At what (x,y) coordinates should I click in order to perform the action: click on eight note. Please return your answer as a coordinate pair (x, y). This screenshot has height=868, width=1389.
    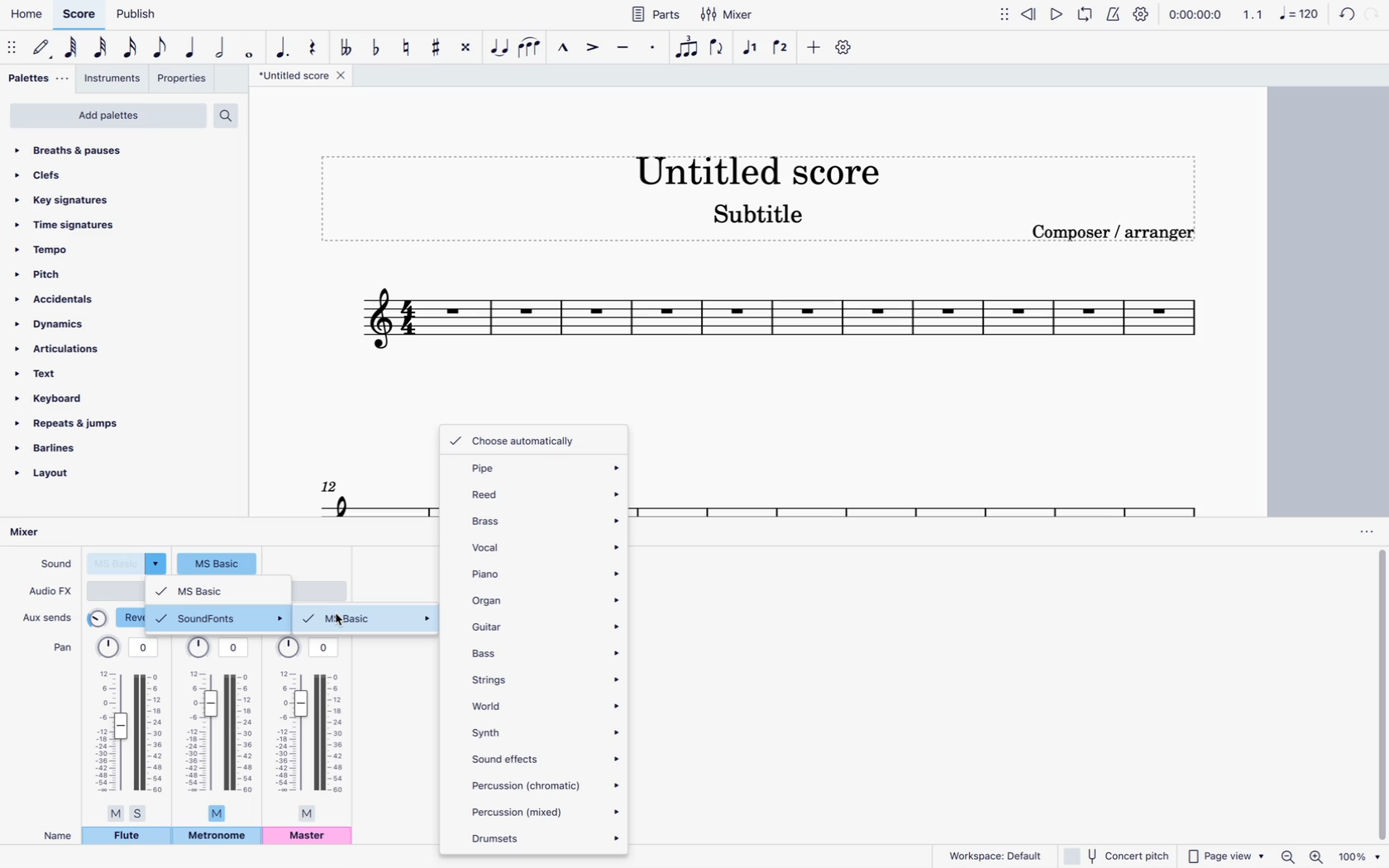
    Looking at the image, I should click on (161, 50).